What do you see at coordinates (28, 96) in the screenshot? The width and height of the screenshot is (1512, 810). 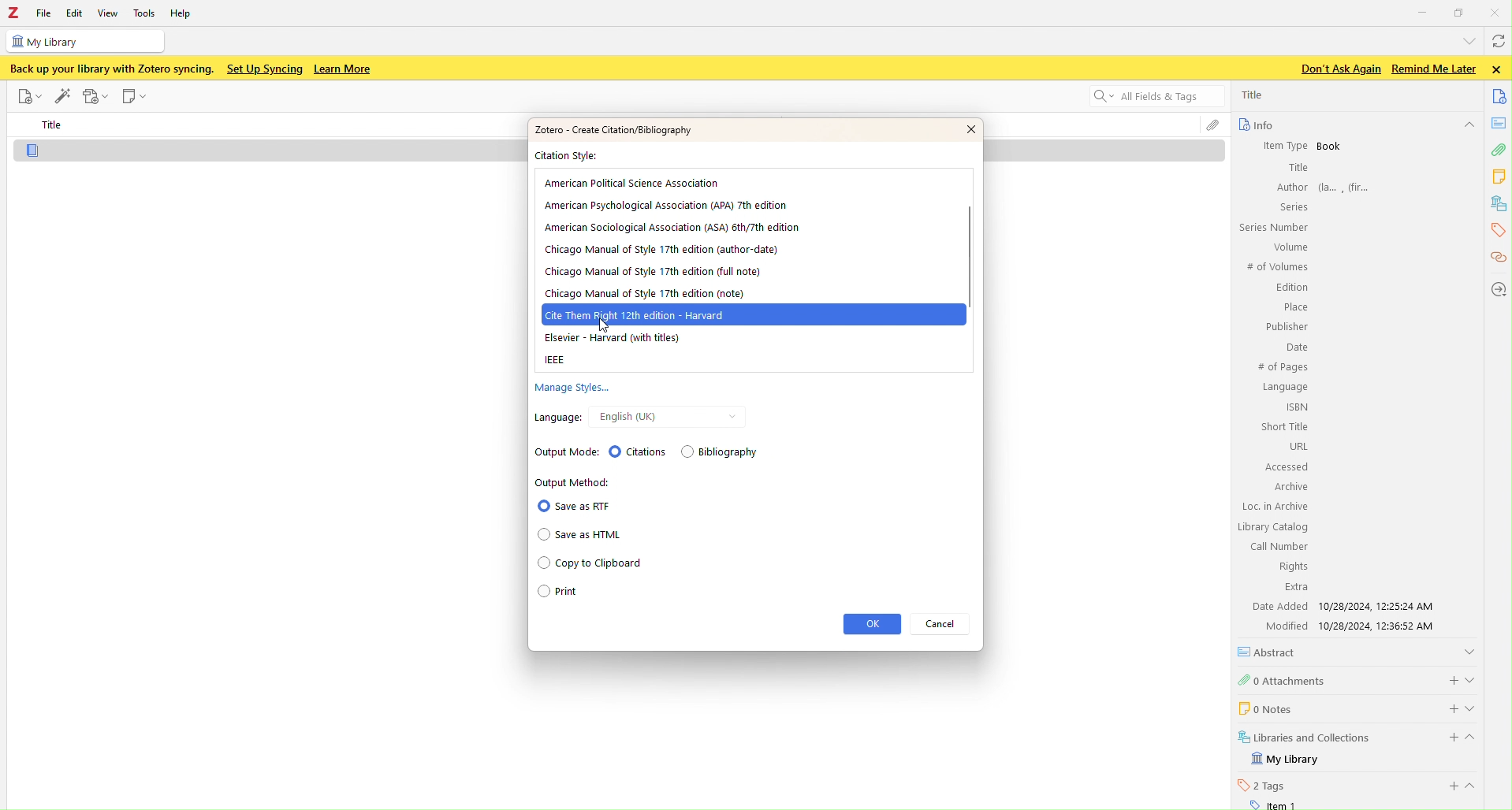 I see `File` at bounding box center [28, 96].